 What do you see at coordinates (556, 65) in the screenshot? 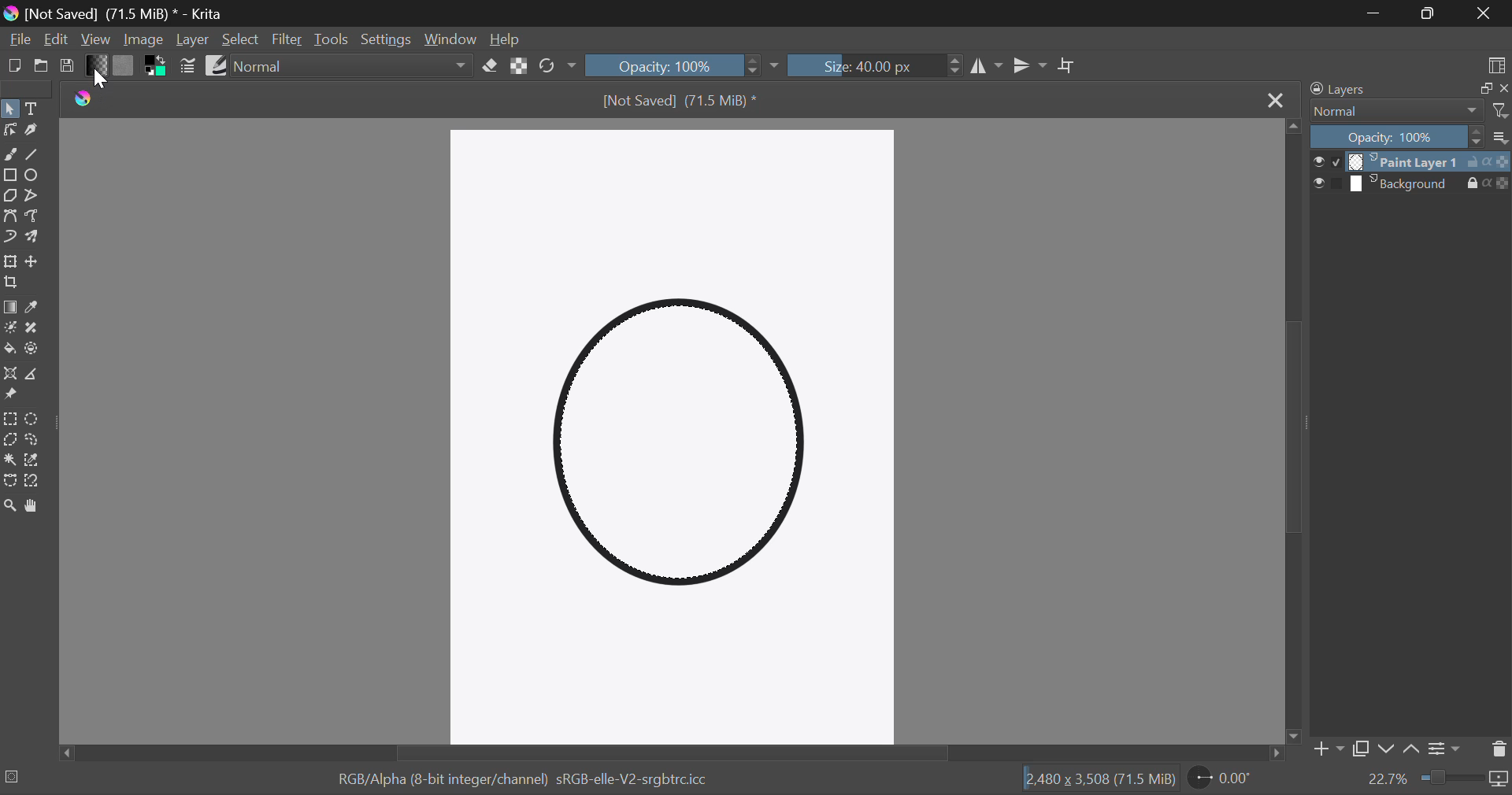
I see `Rotate` at bounding box center [556, 65].